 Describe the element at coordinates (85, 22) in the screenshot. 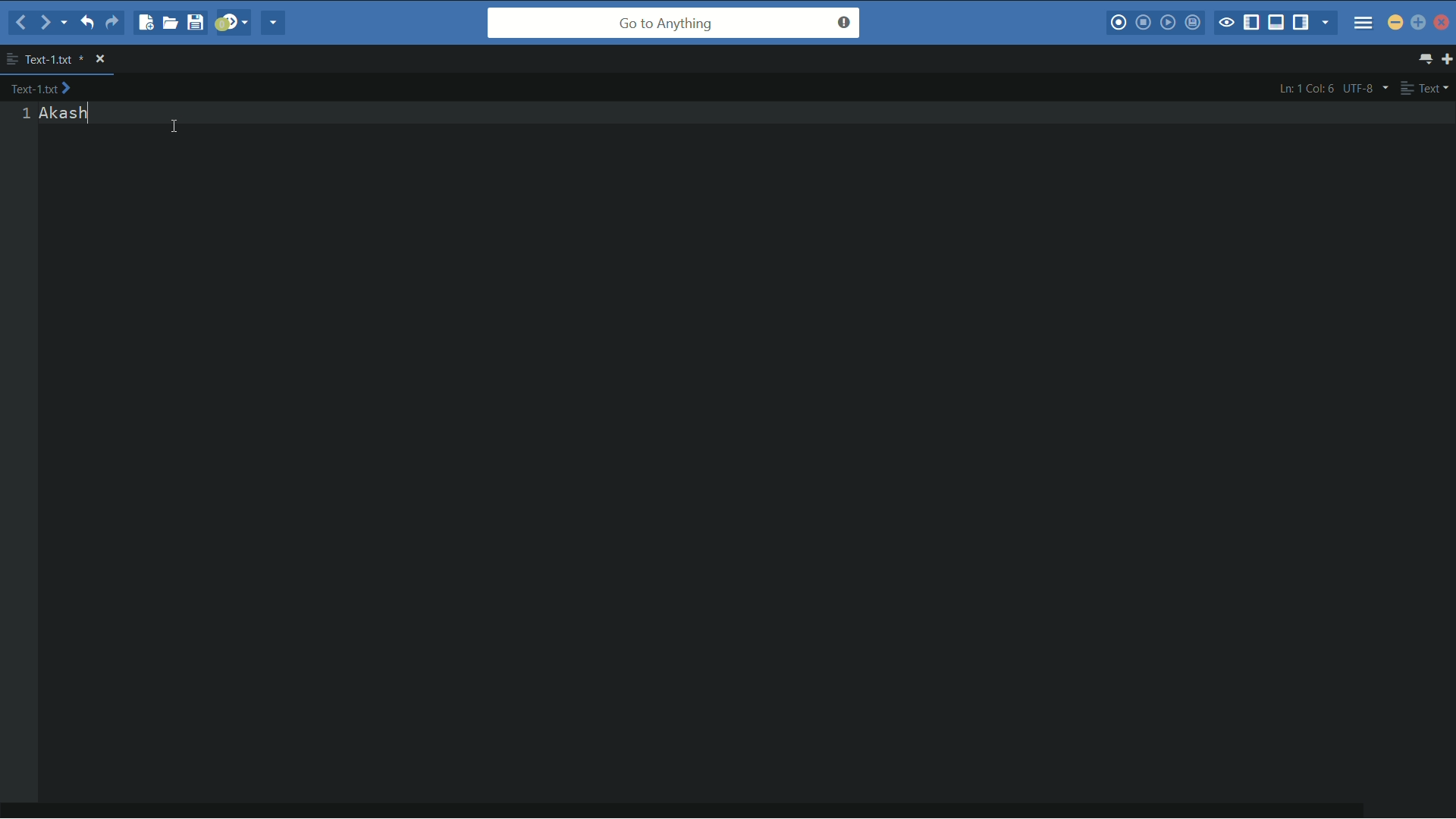

I see `undo` at that location.